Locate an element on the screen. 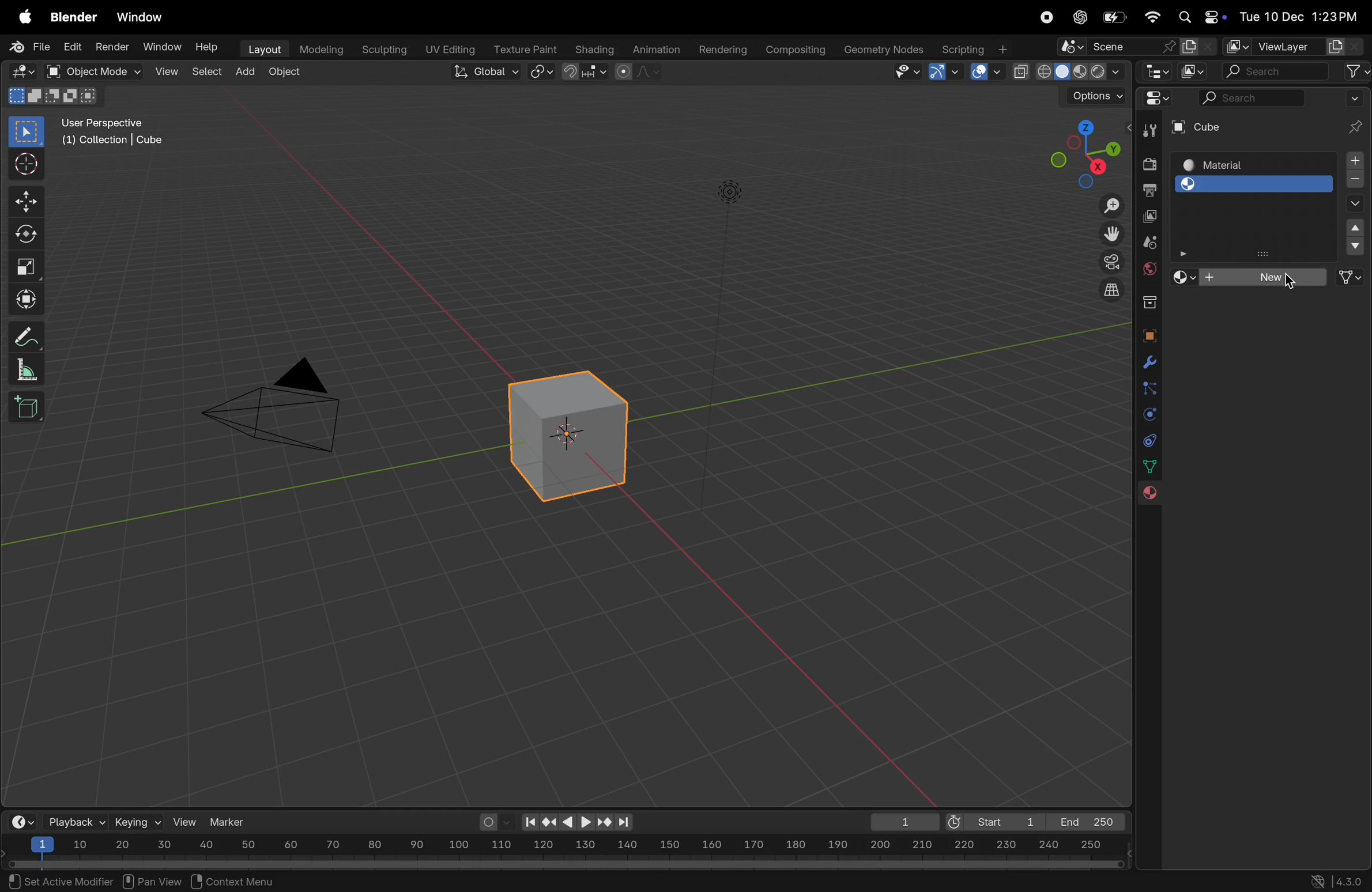  transform is located at coordinates (24, 297).